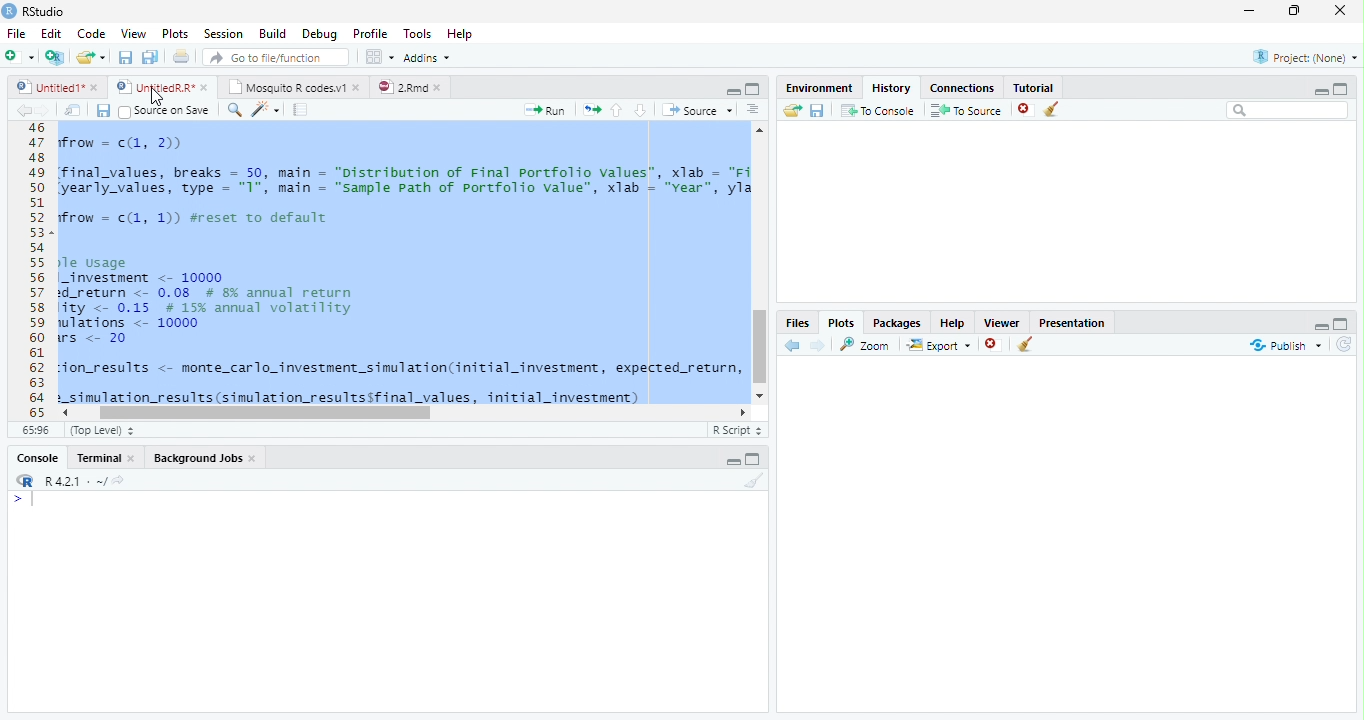  I want to click on Code, so click(89, 33).